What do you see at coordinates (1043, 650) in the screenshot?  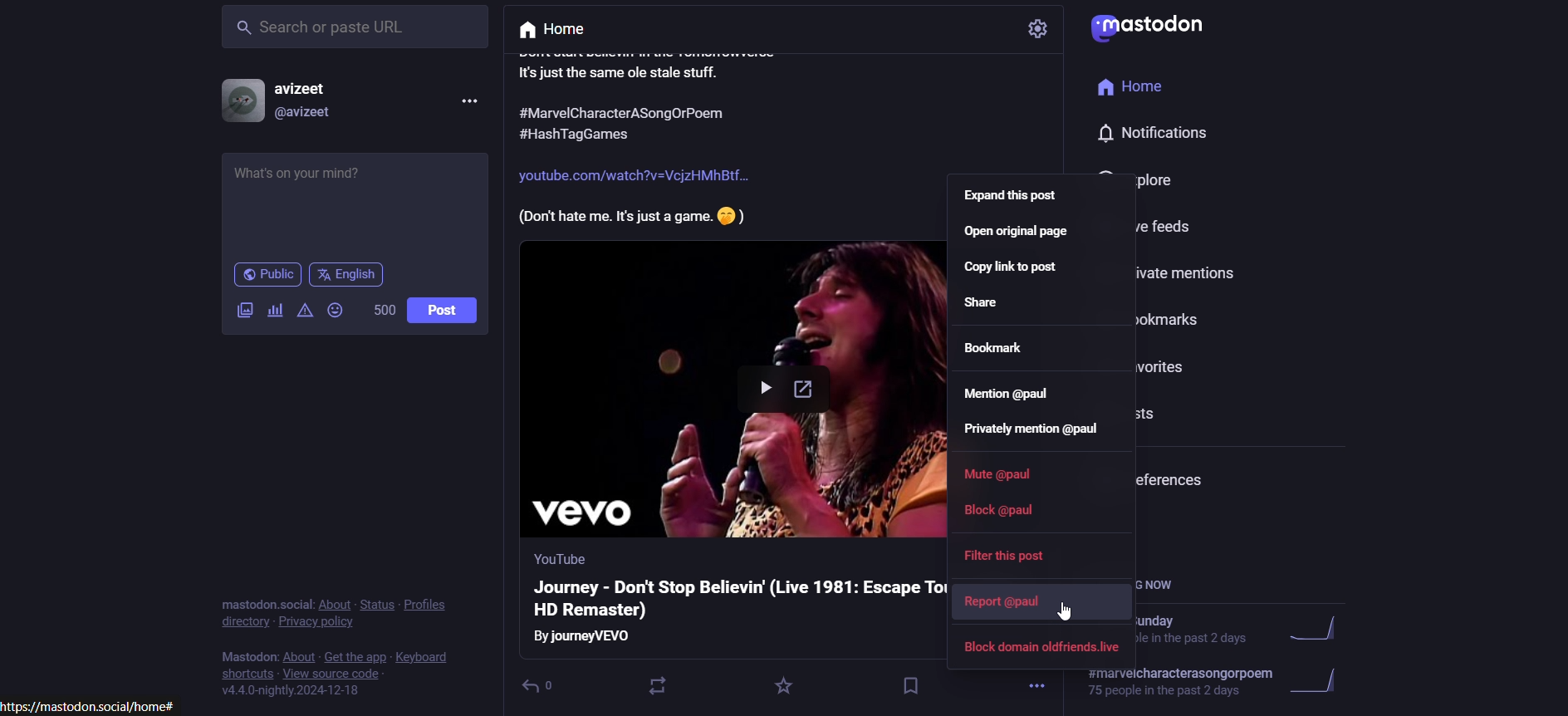 I see `block this user` at bounding box center [1043, 650].